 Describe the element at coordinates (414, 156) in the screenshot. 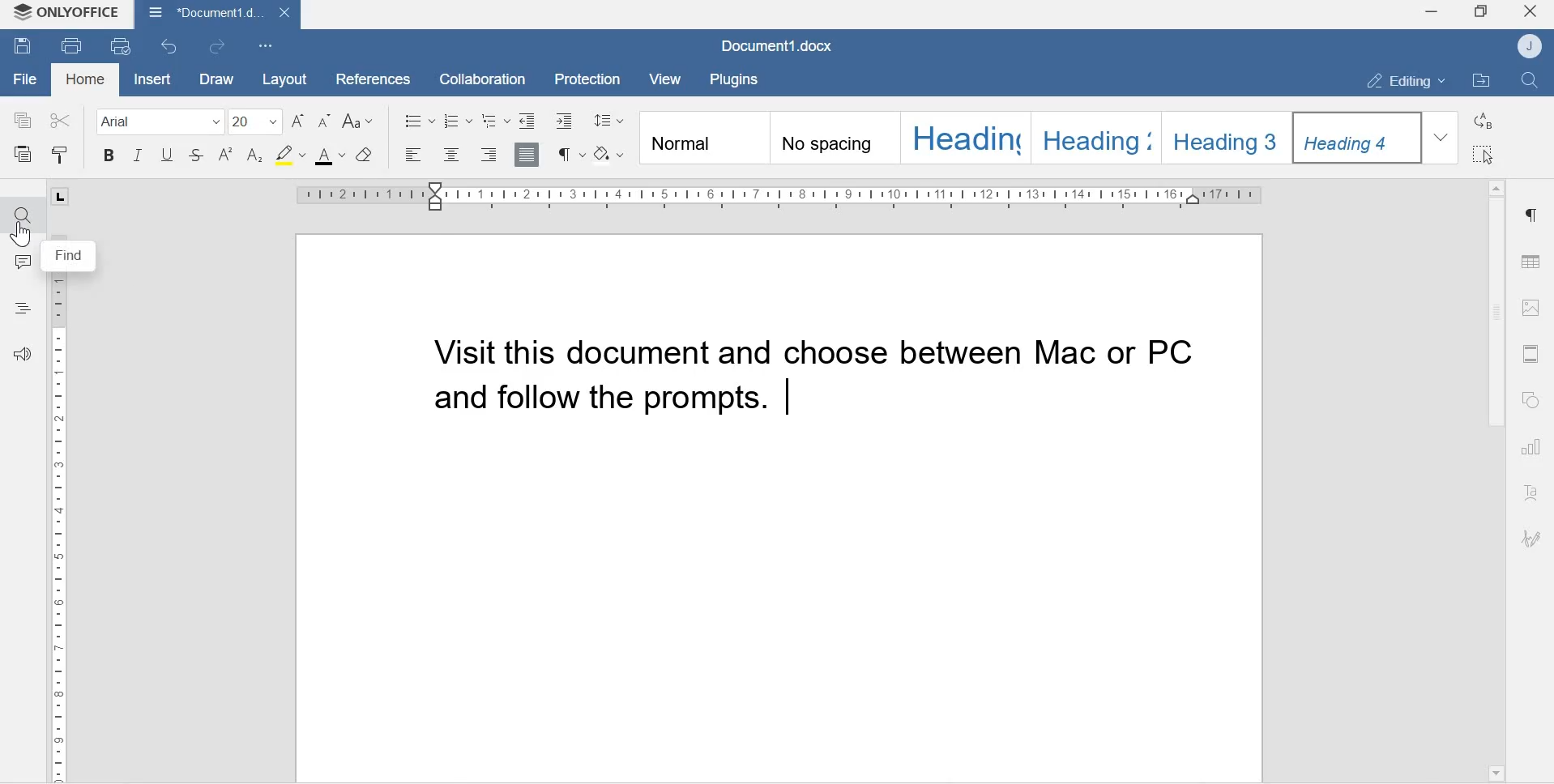

I see `Align left` at that location.